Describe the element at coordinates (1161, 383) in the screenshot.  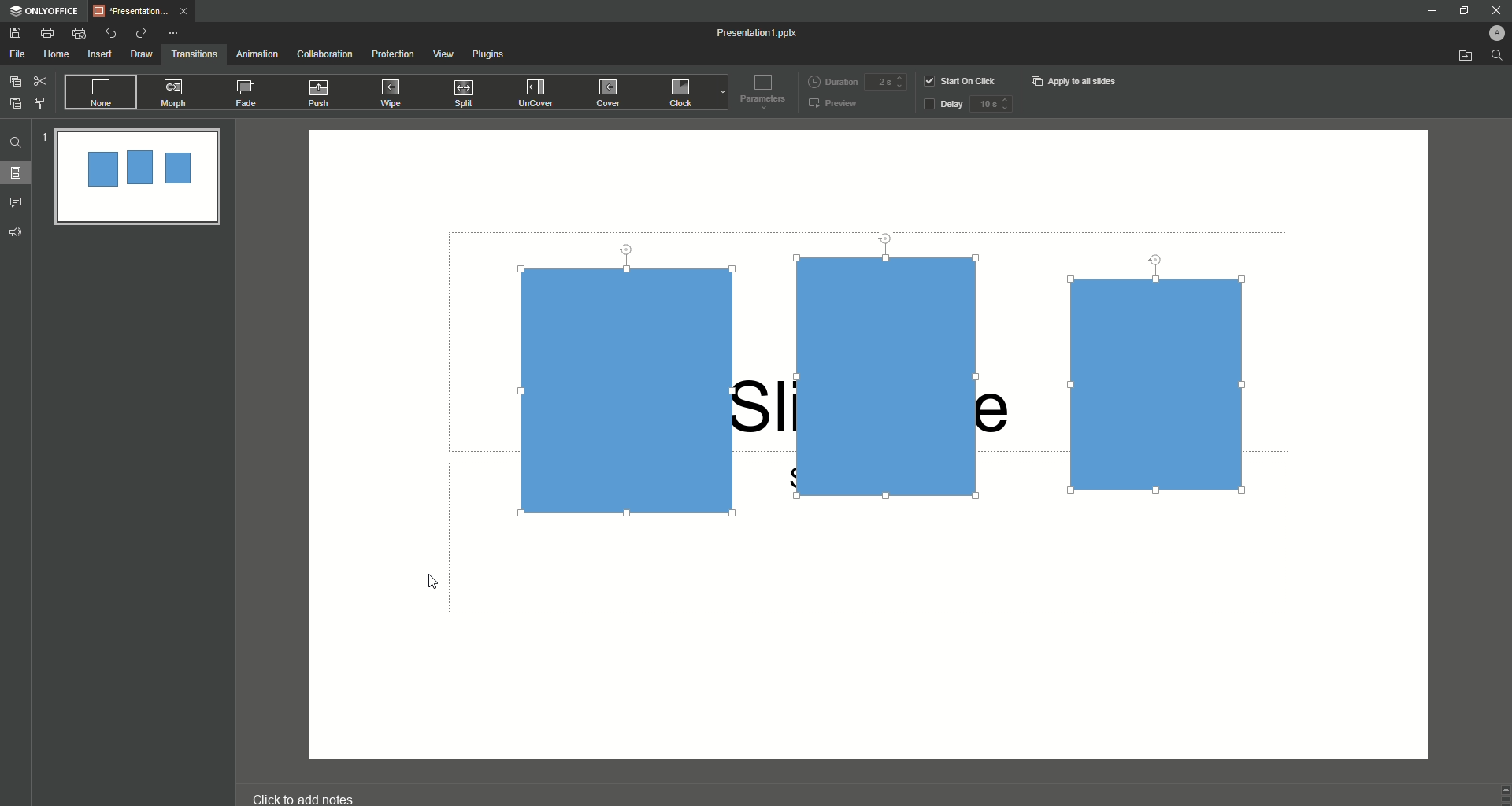
I see `Shape 3` at that location.